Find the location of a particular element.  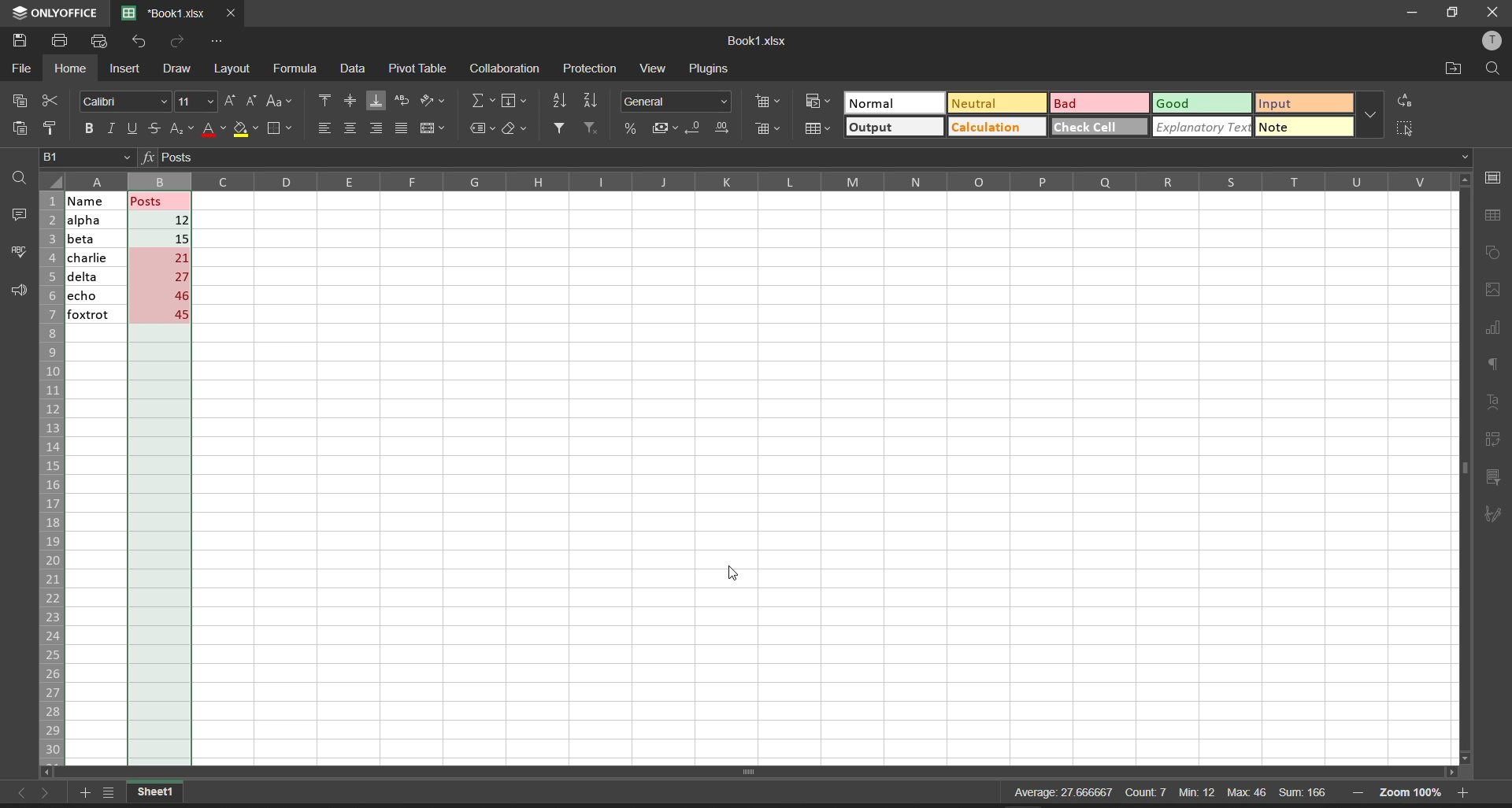

scroll left is located at coordinates (49, 770).